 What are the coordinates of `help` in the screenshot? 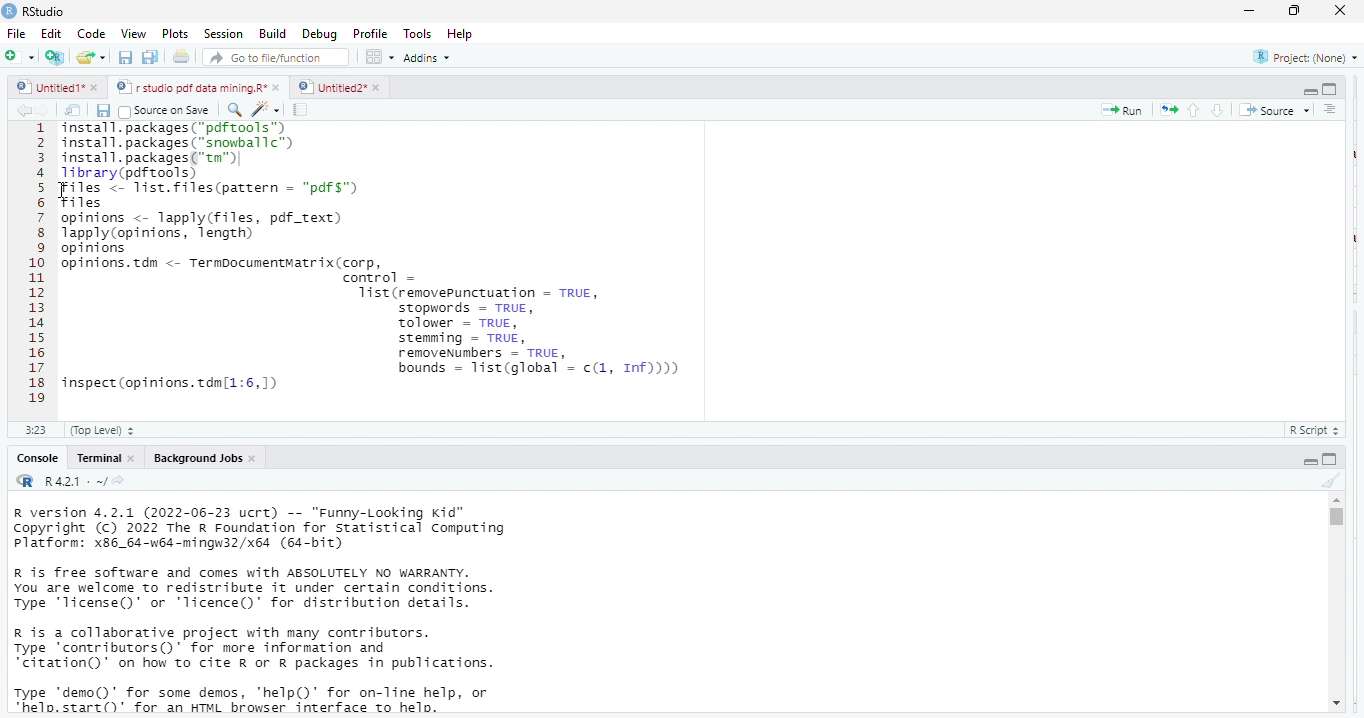 It's located at (467, 33).